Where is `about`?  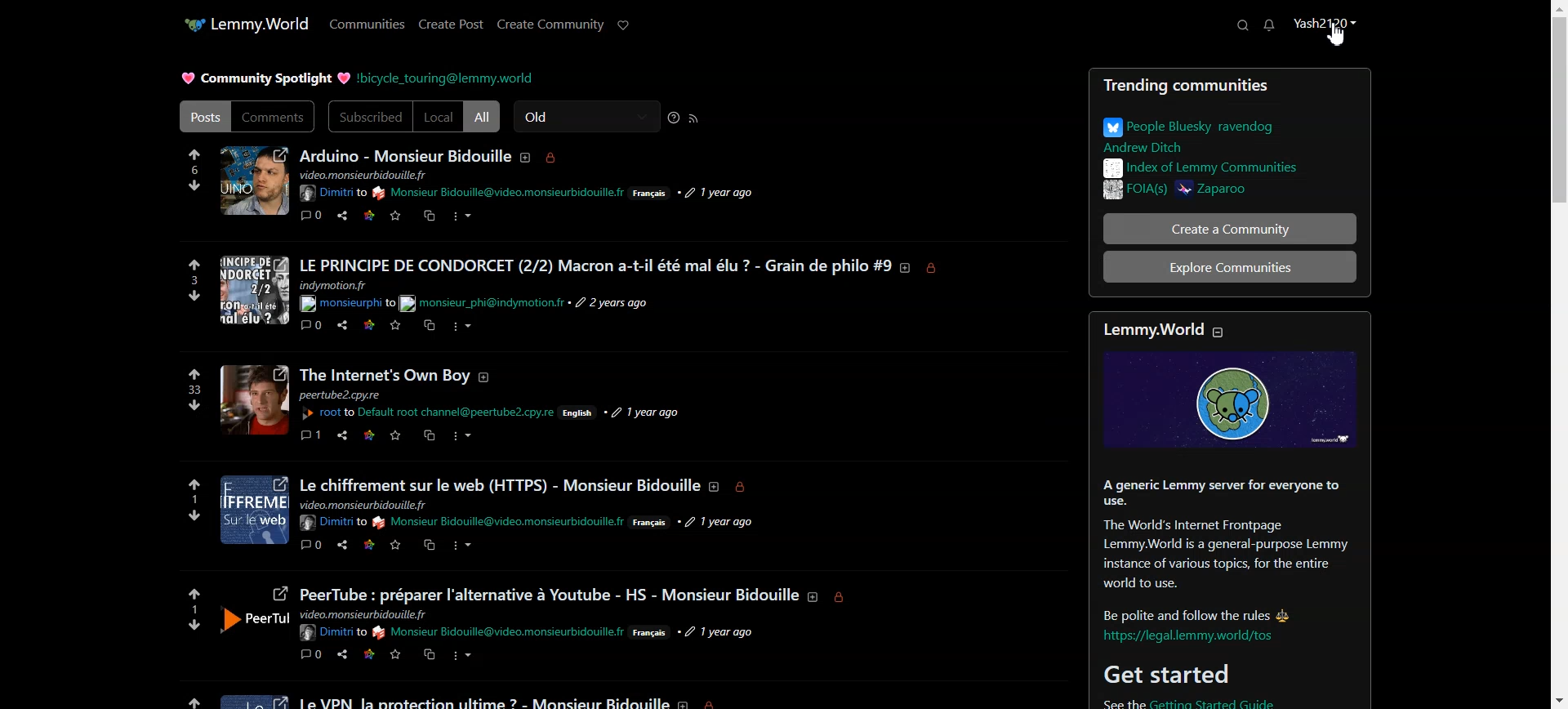 about is located at coordinates (813, 596).